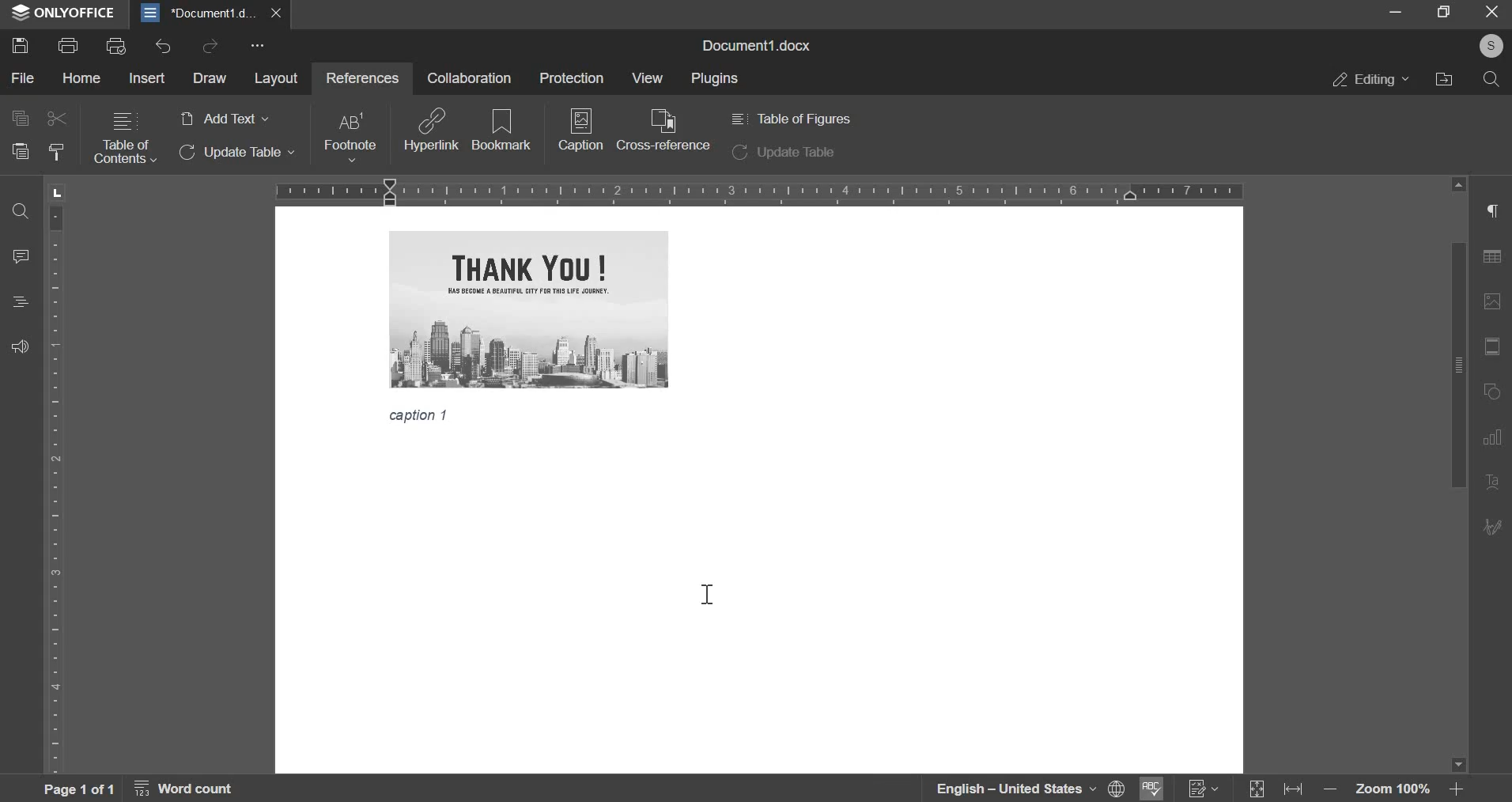 Image resolution: width=1512 pixels, height=802 pixels. Describe the element at coordinates (116, 45) in the screenshot. I see `print preview` at that location.